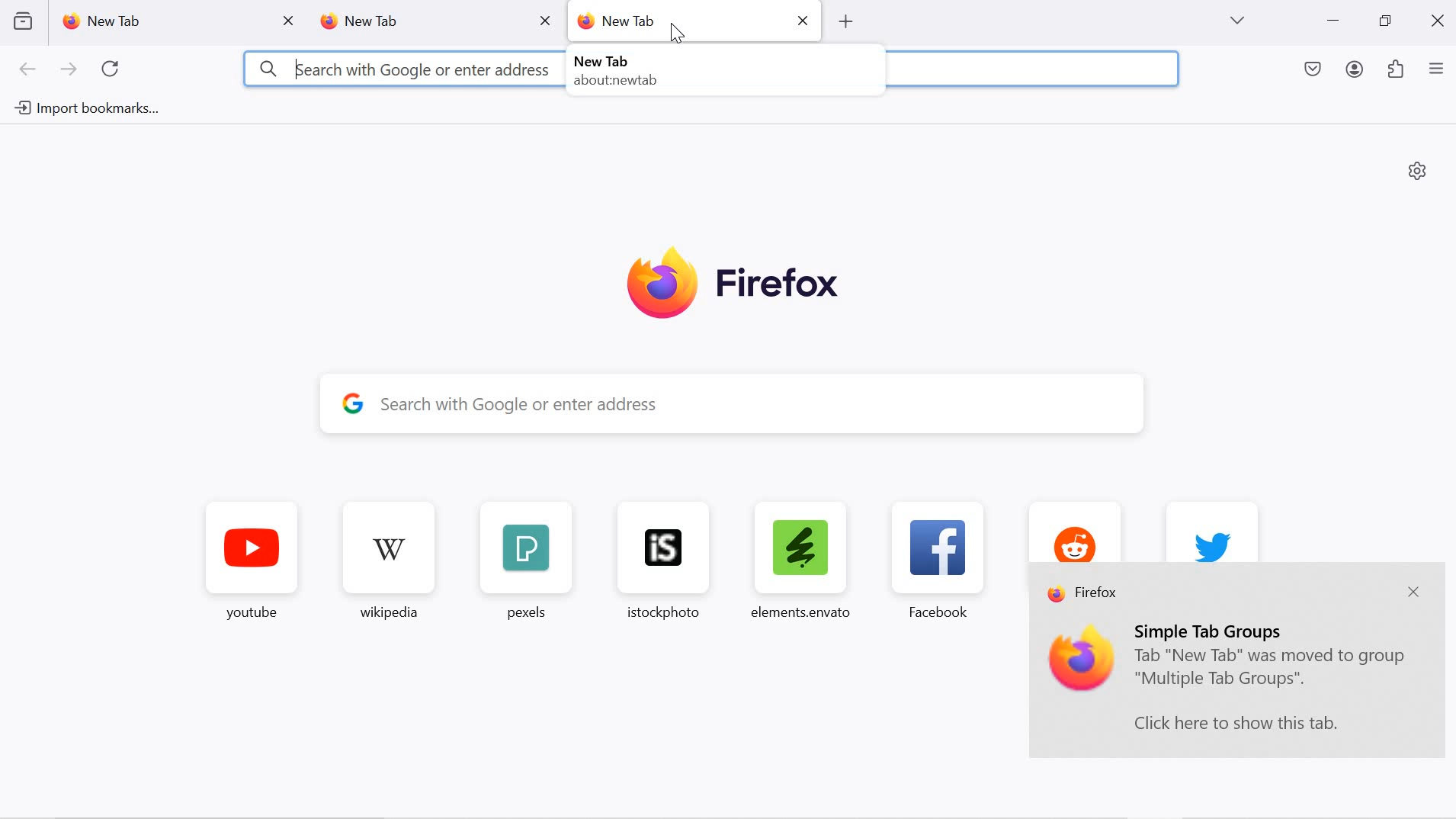 The image size is (1456, 819). I want to click on import bookmarks, so click(84, 109).